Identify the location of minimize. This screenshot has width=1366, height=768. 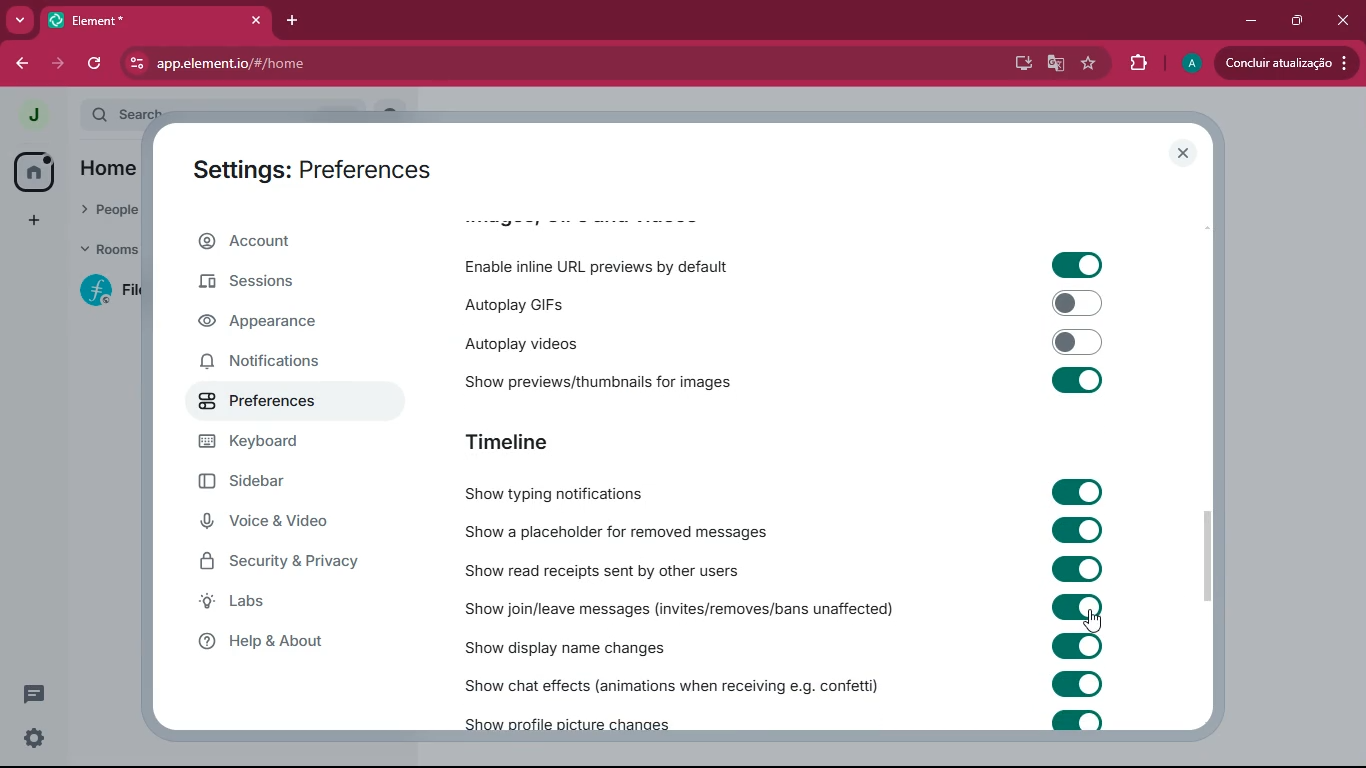
(1252, 20).